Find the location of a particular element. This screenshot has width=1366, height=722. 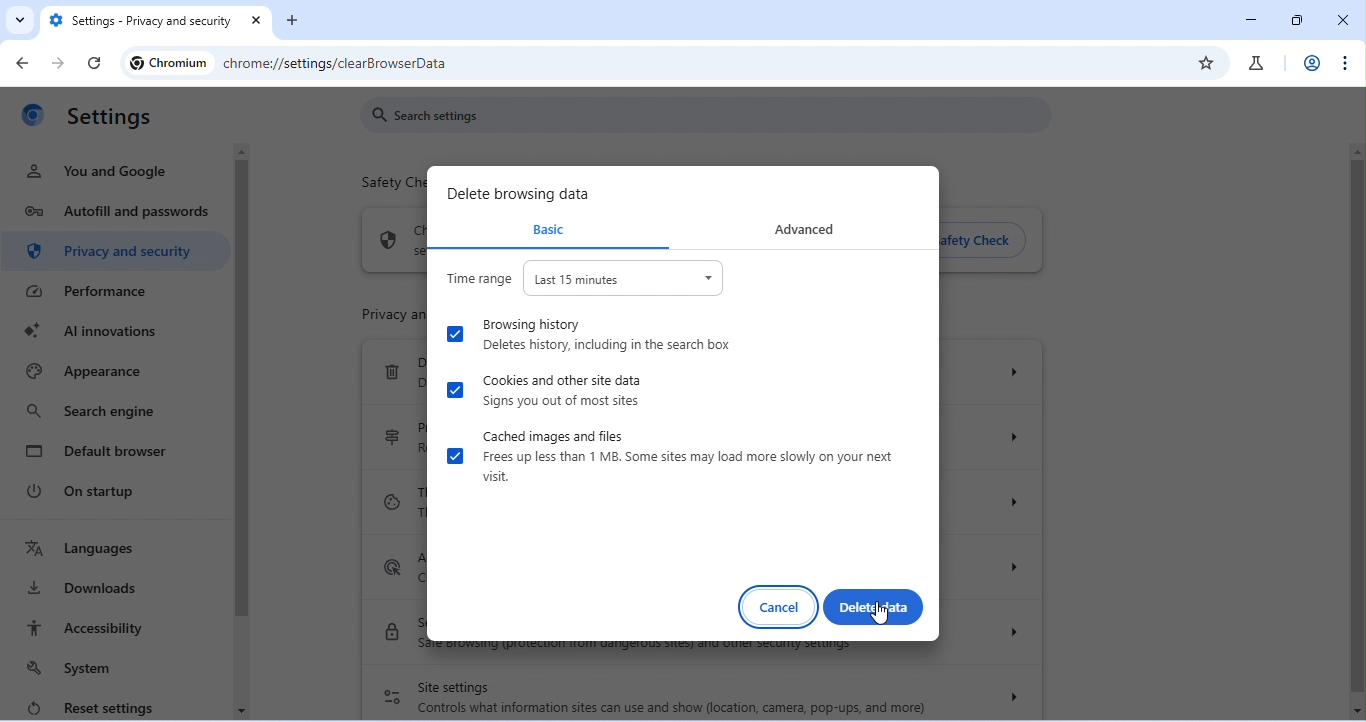

delete browsing data is located at coordinates (521, 194).